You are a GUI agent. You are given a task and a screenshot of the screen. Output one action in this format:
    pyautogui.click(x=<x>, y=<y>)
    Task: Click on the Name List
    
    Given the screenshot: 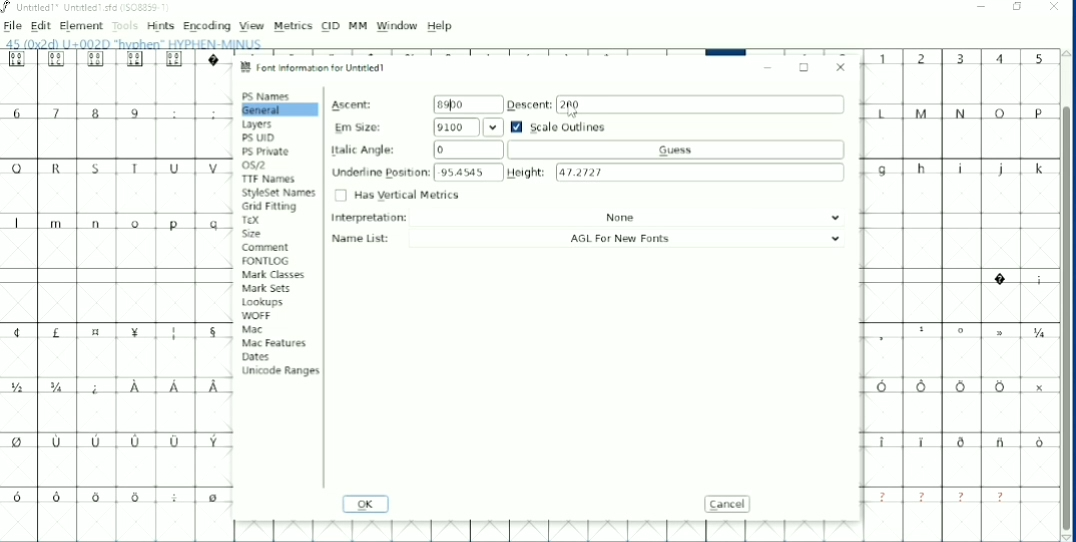 What is the action you would take?
    pyautogui.click(x=592, y=238)
    